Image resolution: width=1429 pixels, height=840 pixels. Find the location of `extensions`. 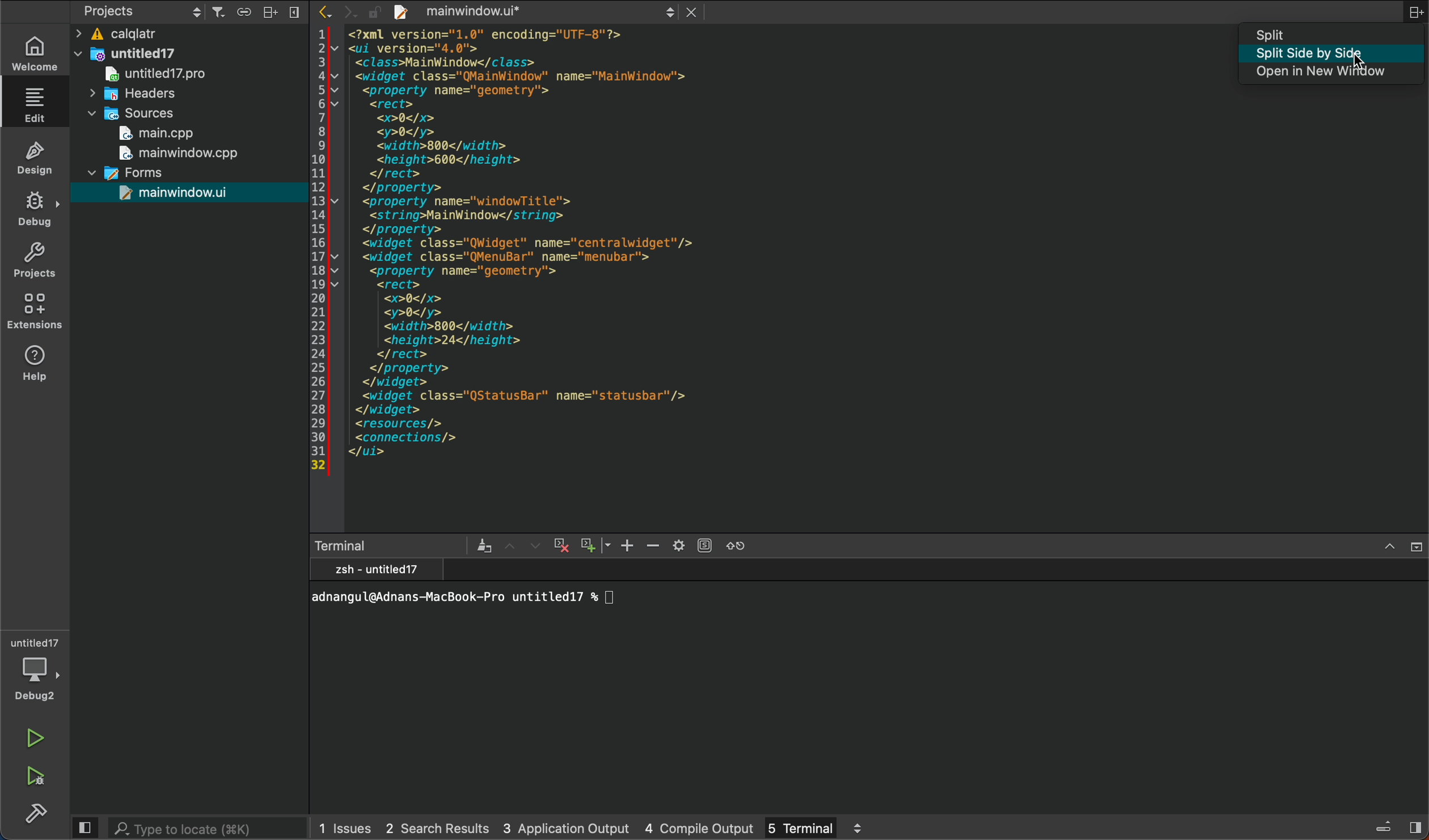

extensions is located at coordinates (38, 314).